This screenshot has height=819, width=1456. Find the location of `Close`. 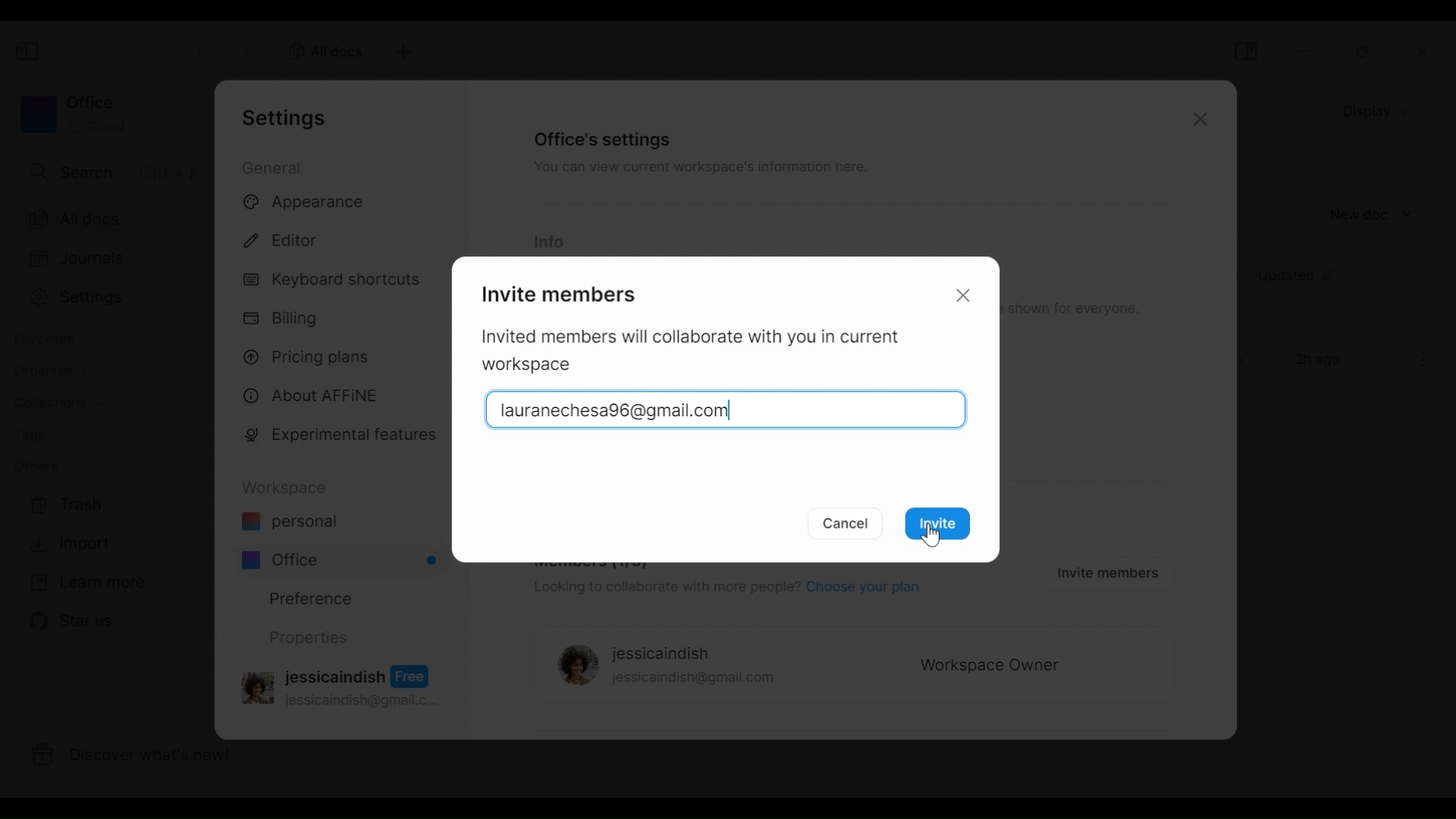

Close is located at coordinates (966, 294).